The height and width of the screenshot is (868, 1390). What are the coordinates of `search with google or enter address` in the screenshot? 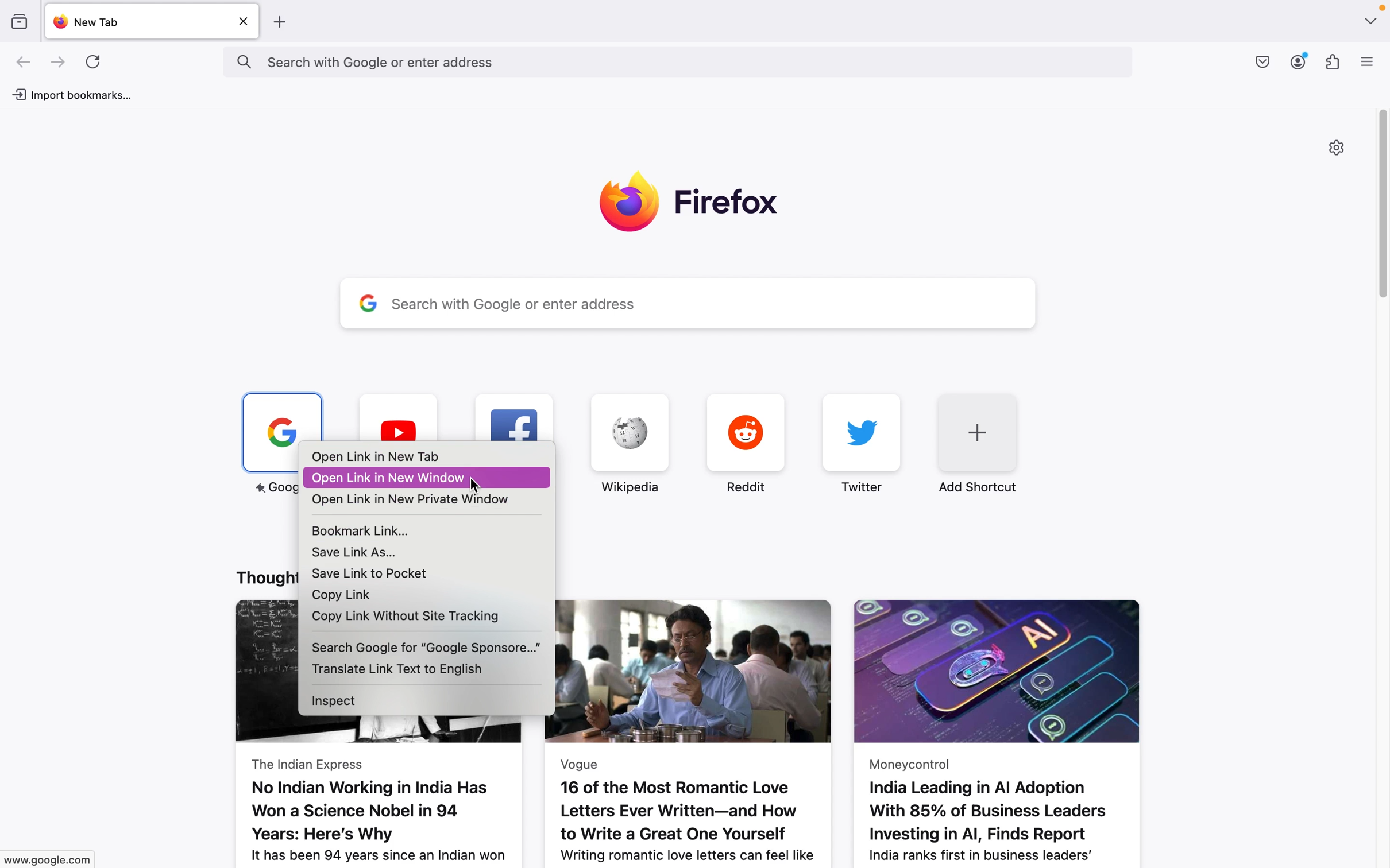 It's located at (690, 303).